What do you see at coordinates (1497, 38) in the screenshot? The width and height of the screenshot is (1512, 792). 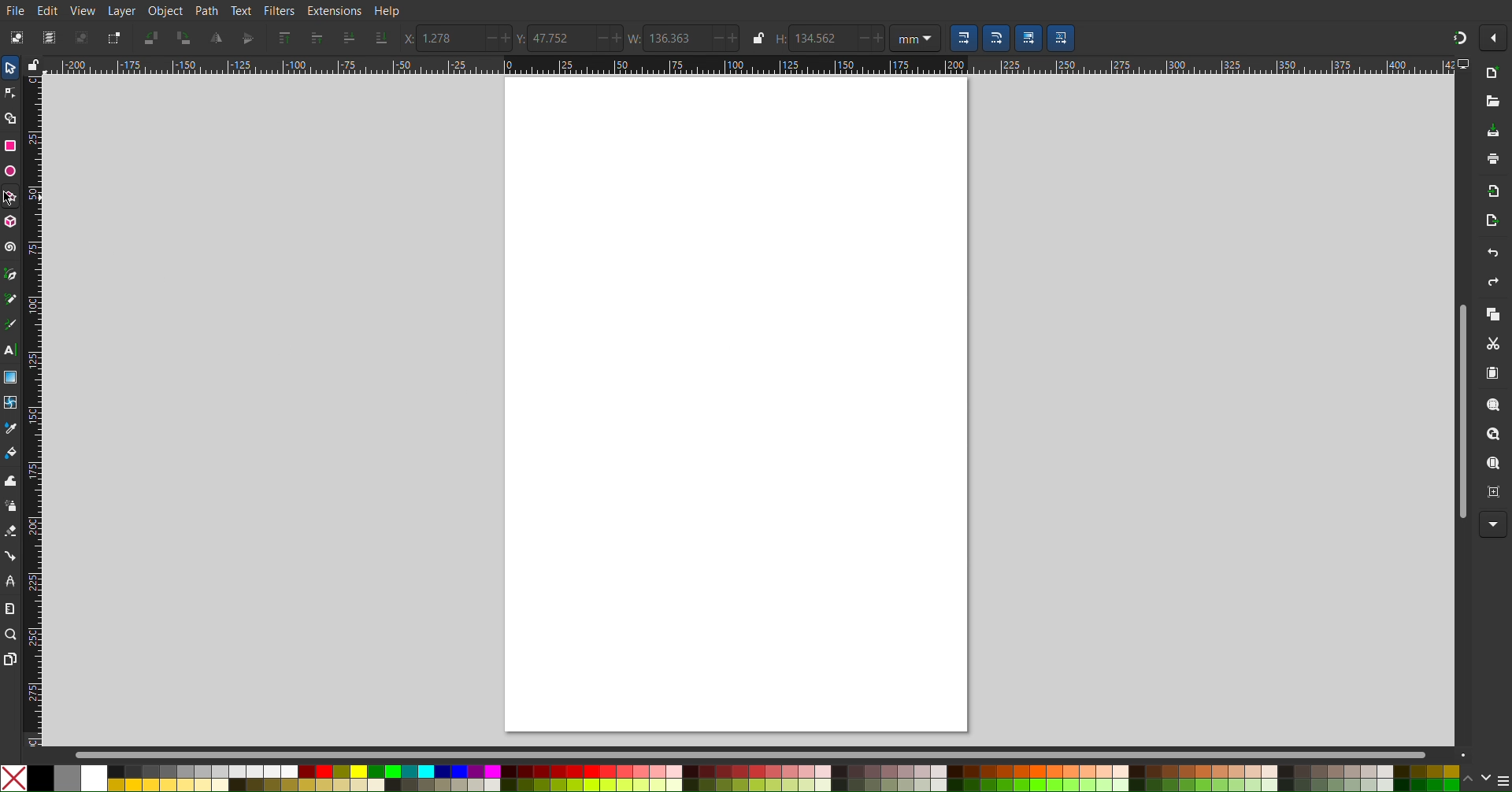 I see `More Options` at bounding box center [1497, 38].